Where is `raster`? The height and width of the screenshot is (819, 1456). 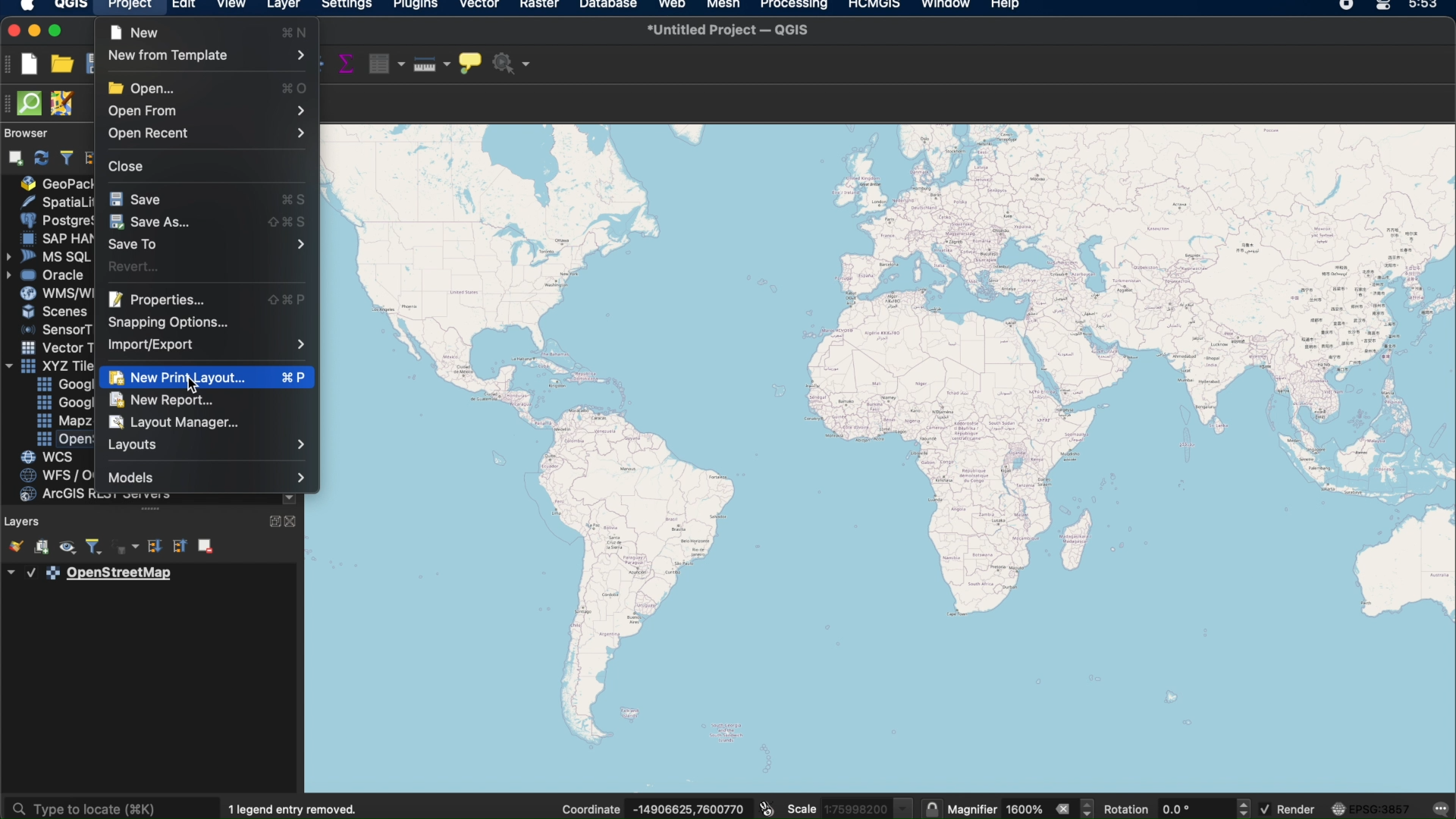
raster is located at coordinates (538, 6).